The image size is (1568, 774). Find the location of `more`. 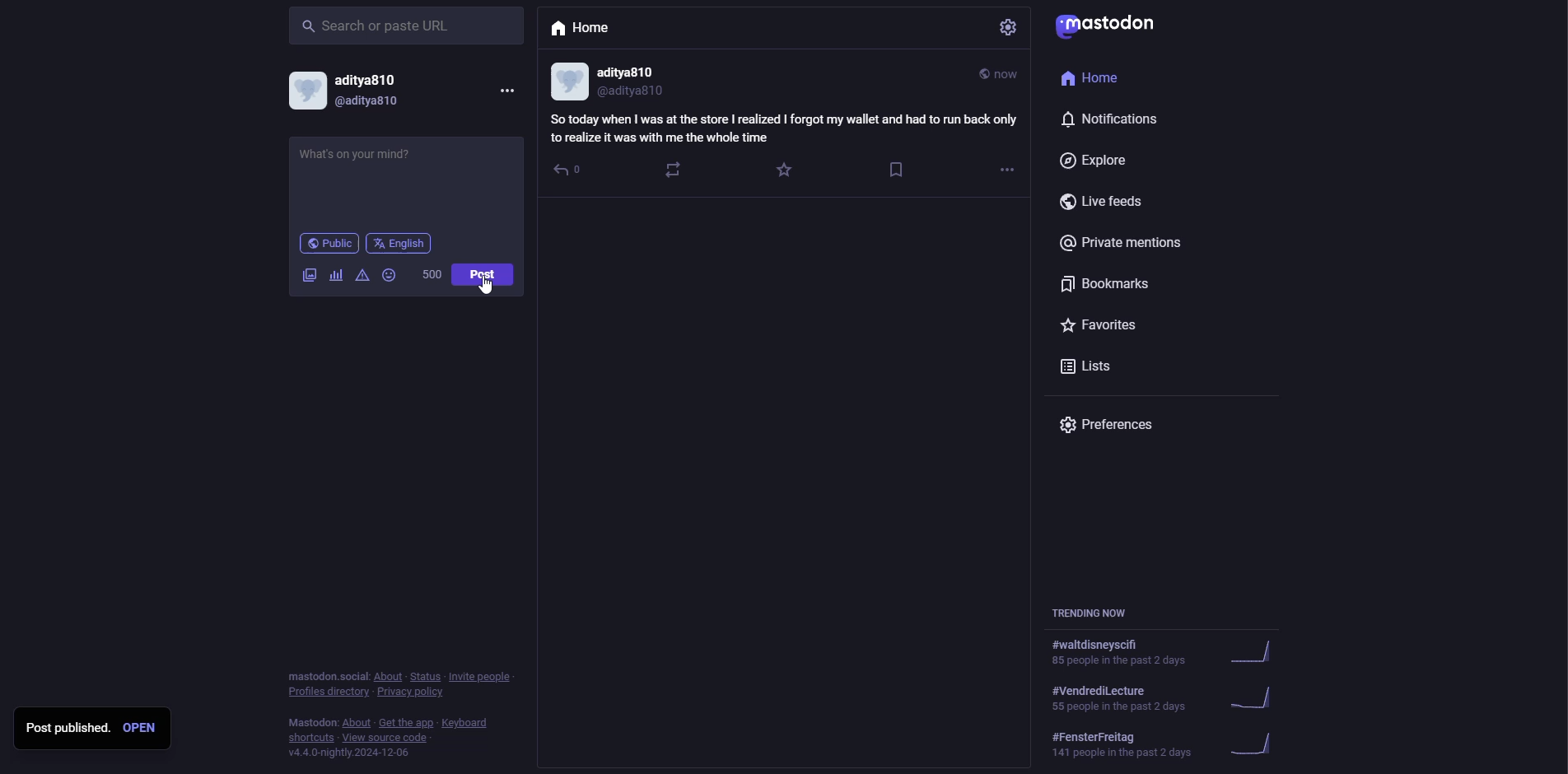

more is located at coordinates (1009, 170).